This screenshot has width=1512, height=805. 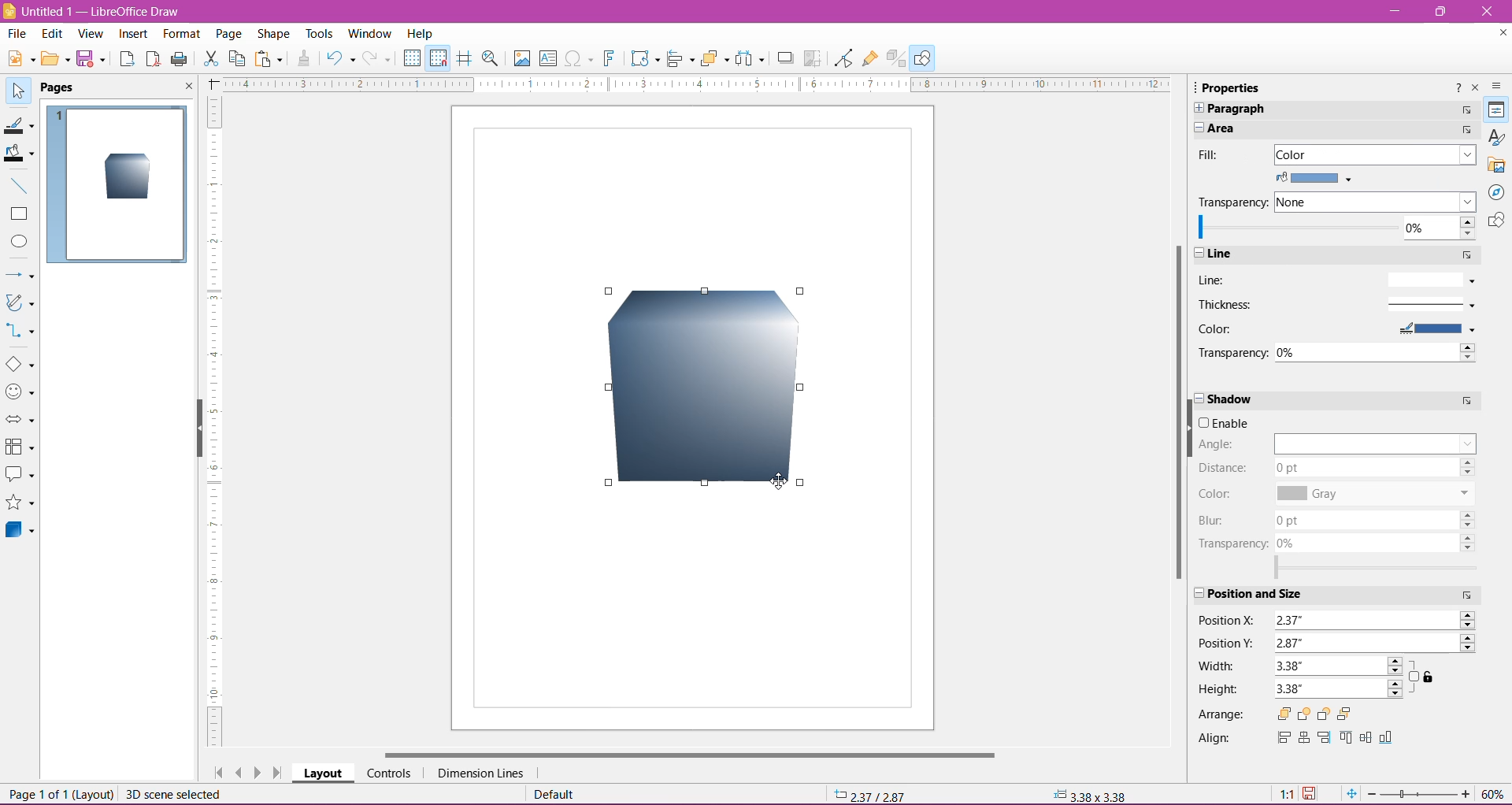 I want to click on Open, so click(x=54, y=60).